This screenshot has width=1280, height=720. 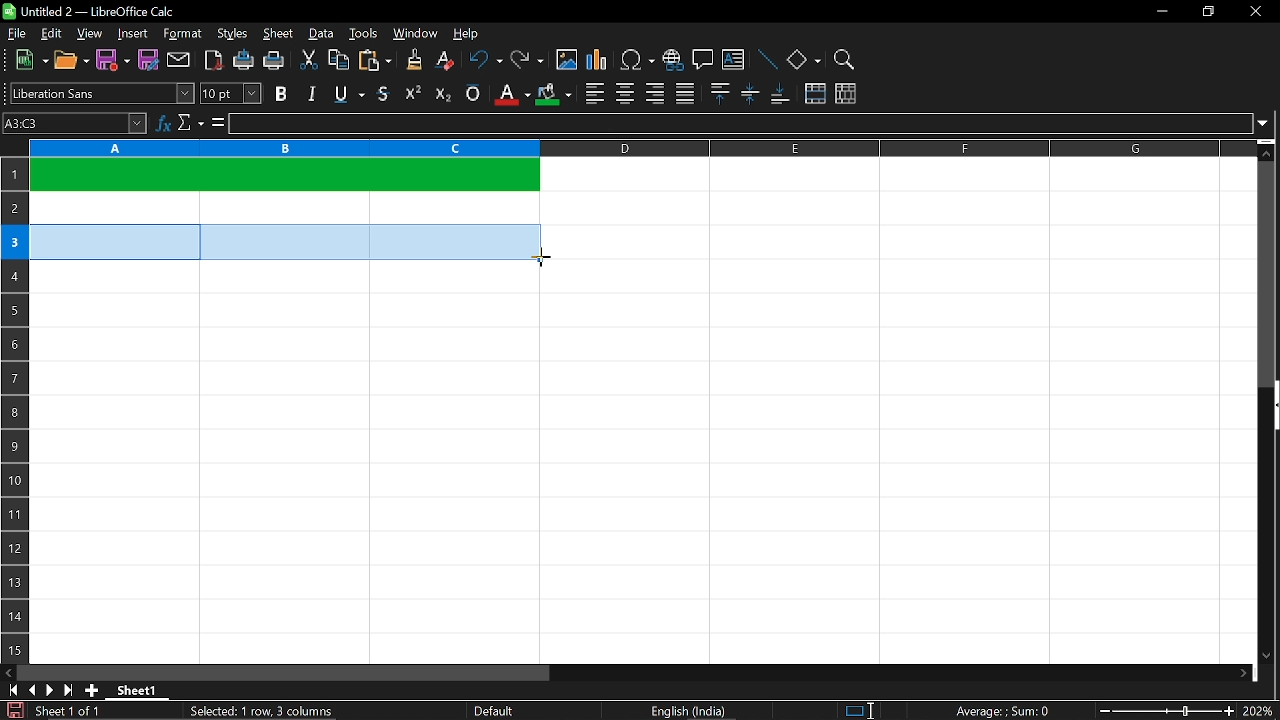 What do you see at coordinates (1266, 123) in the screenshot?
I see `expand formula bar` at bounding box center [1266, 123].